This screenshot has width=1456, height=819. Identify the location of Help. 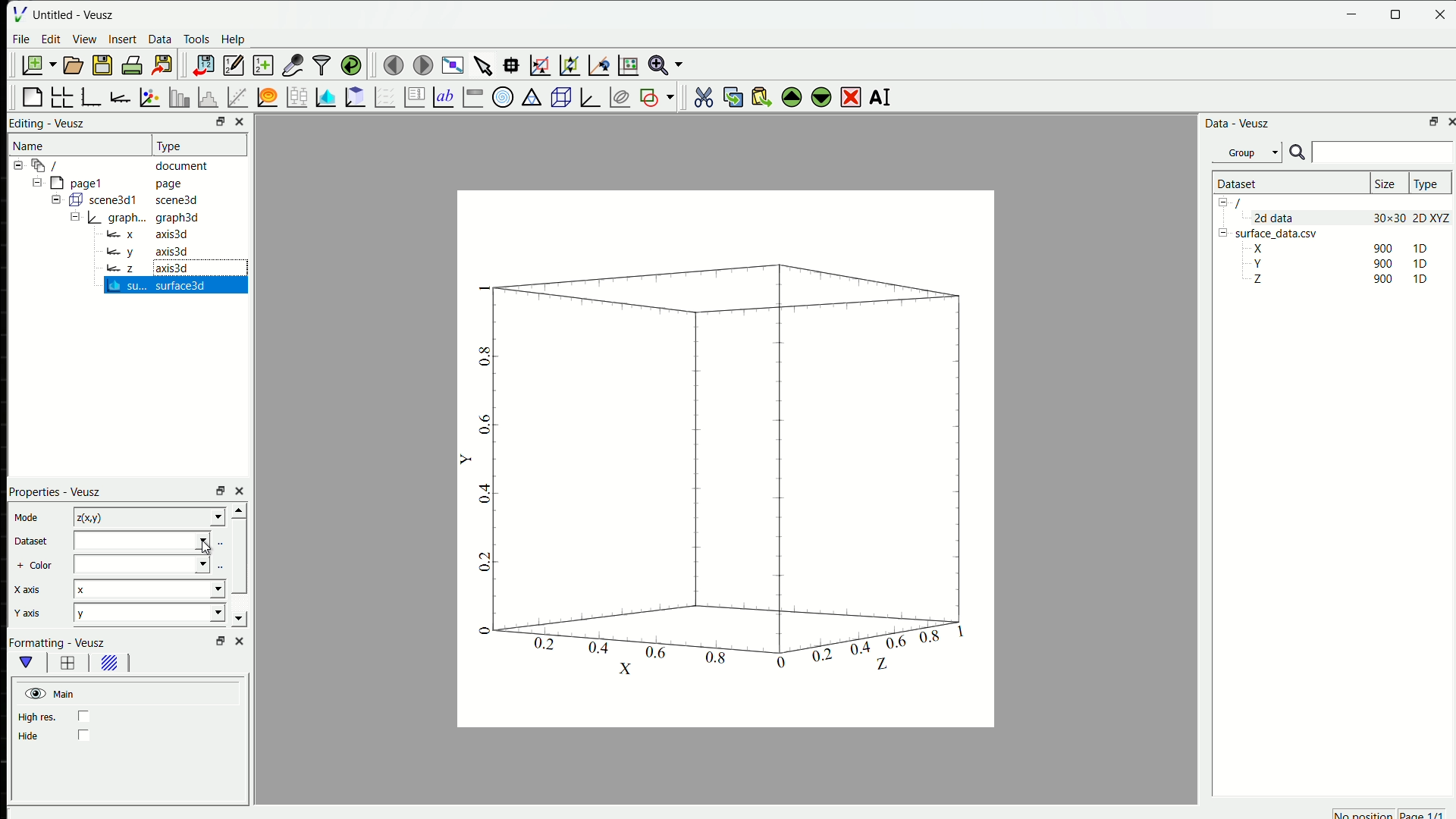
(234, 40).